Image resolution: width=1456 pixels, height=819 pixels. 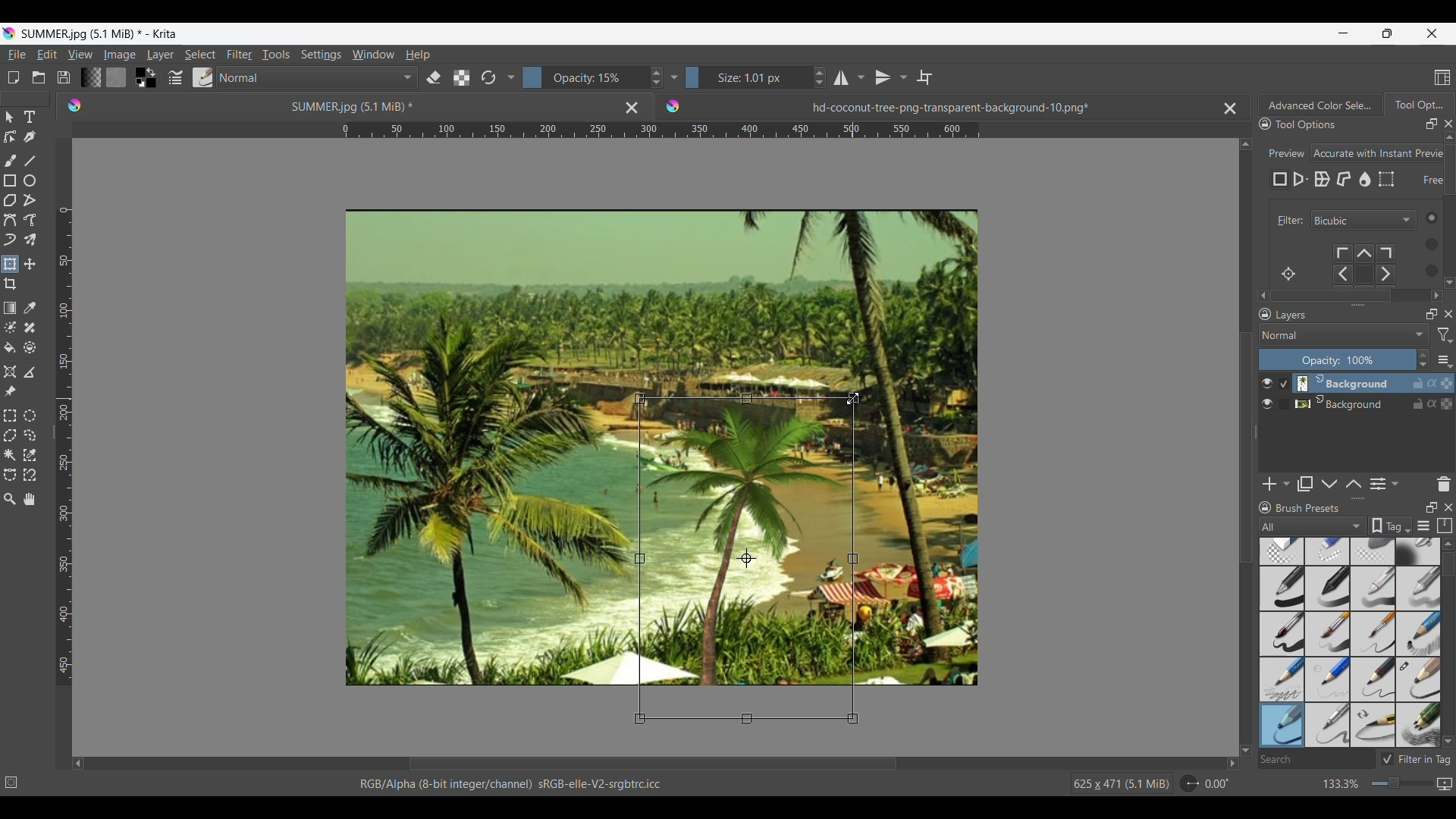 I want to click on Right, so click(x=1228, y=763).